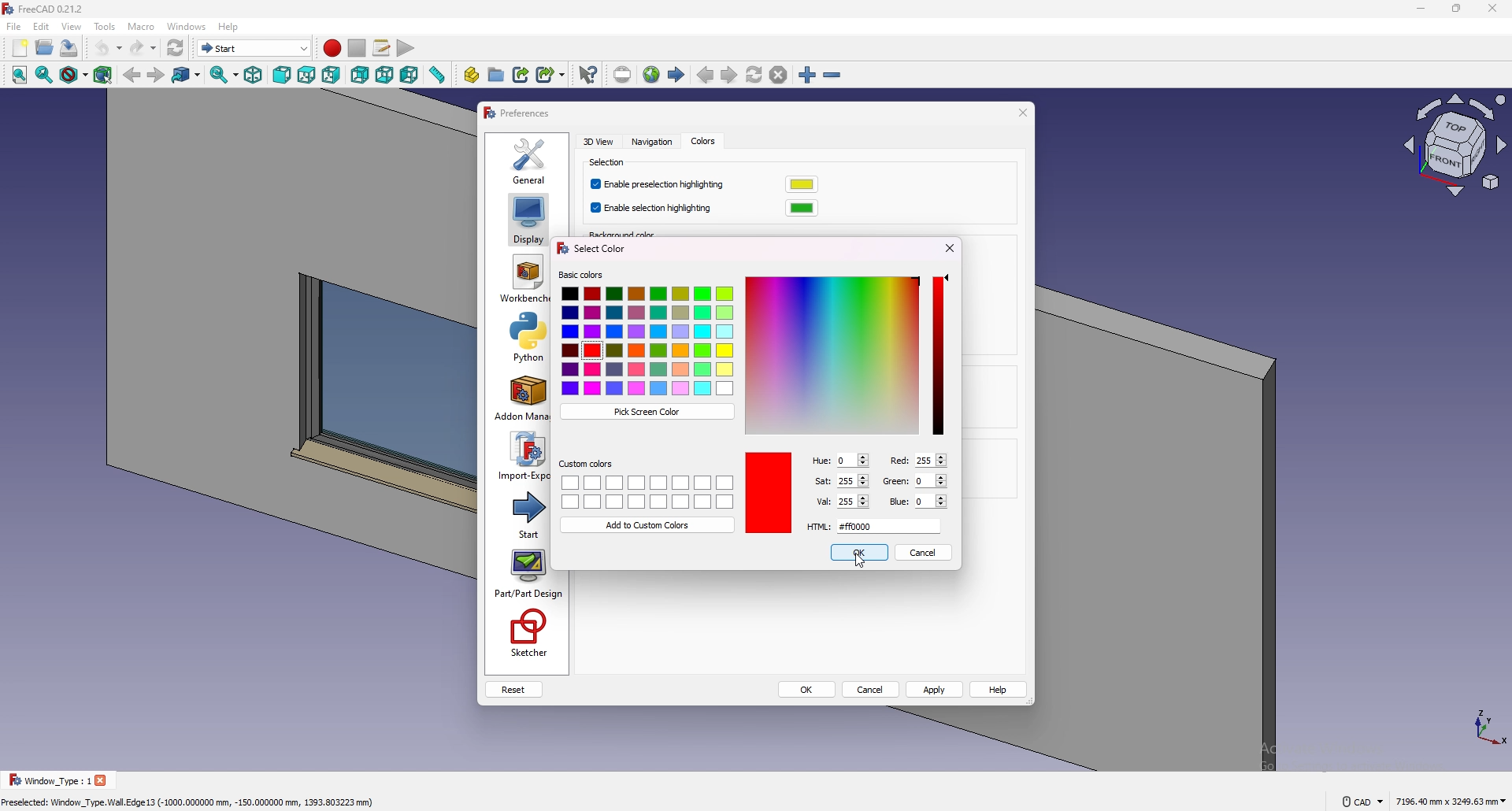 This screenshot has height=811, width=1512. What do you see at coordinates (521, 337) in the screenshot?
I see `python` at bounding box center [521, 337].